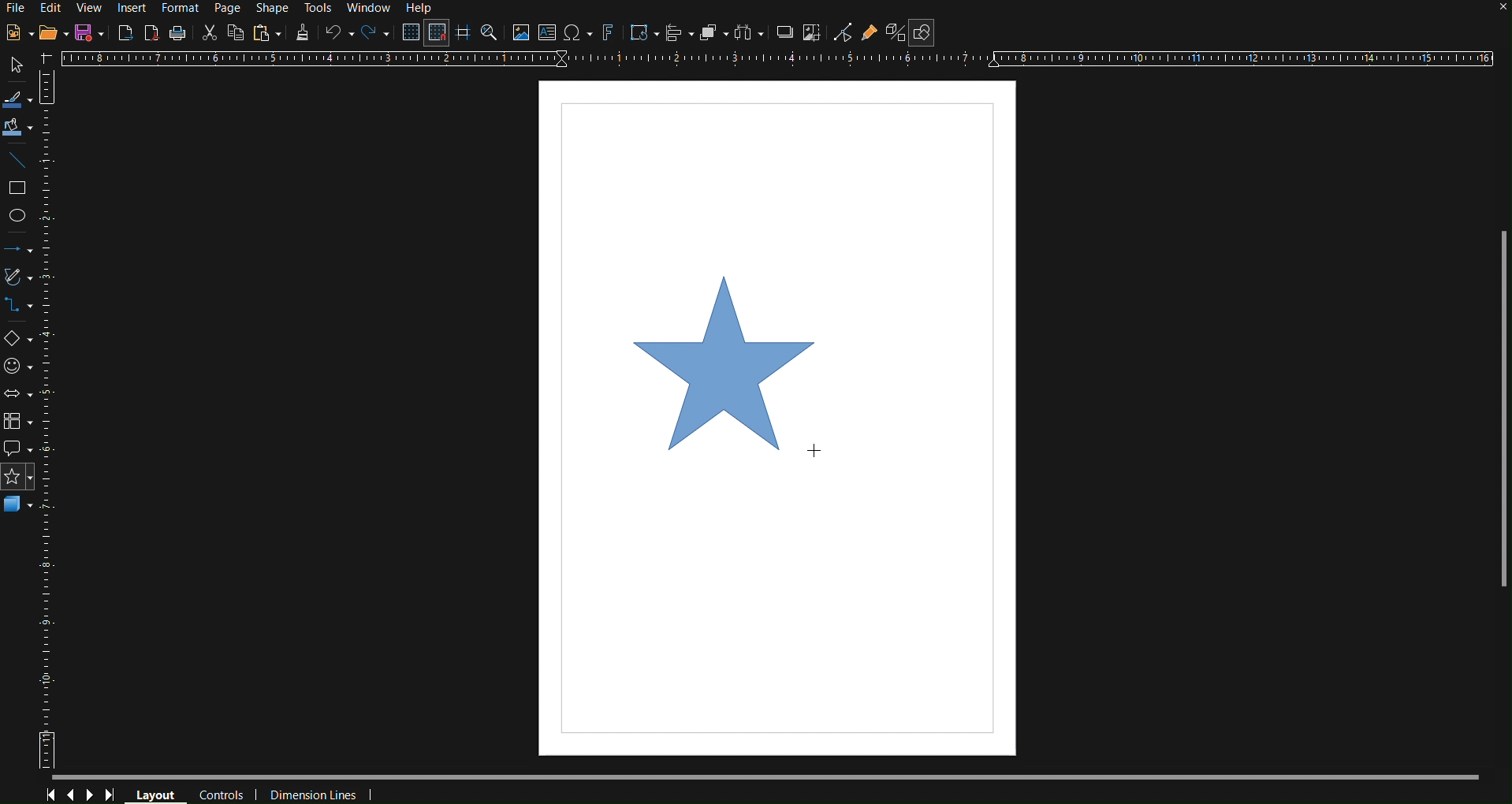  What do you see at coordinates (19, 509) in the screenshot?
I see `3D Objects` at bounding box center [19, 509].